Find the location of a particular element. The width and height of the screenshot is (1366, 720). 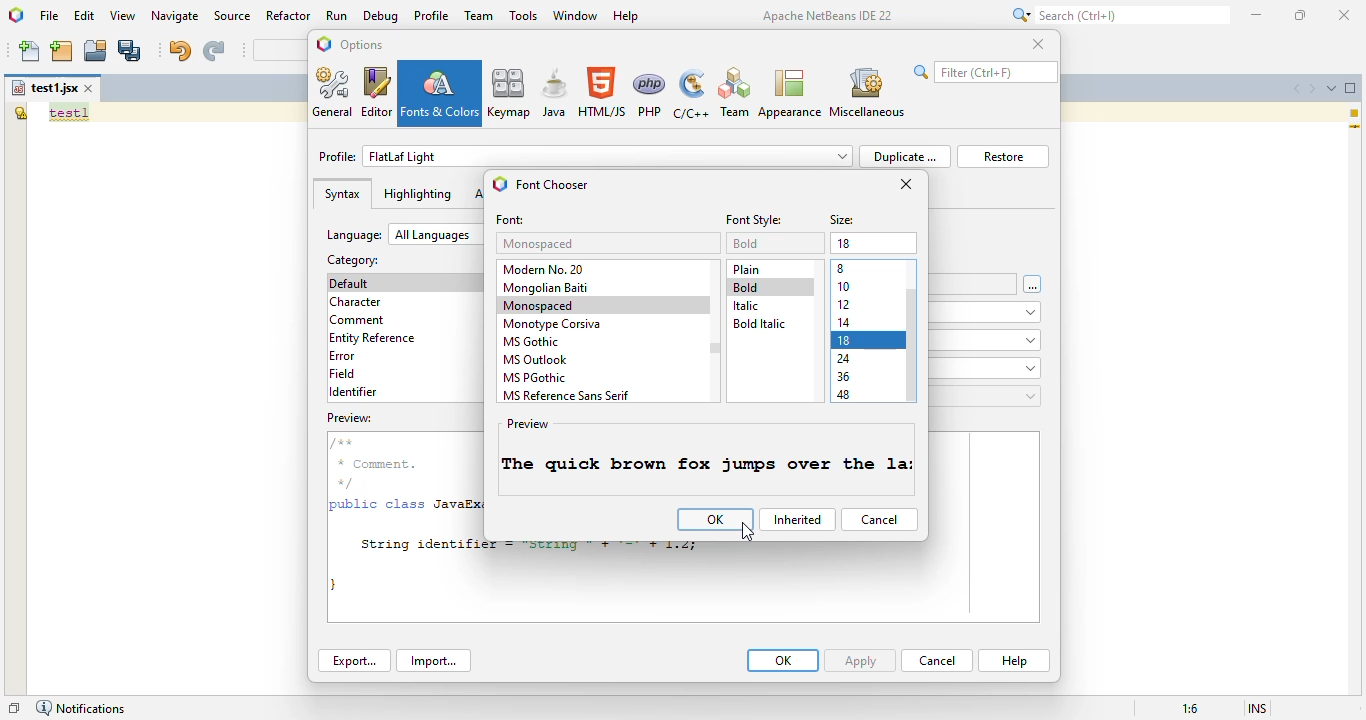

search is located at coordinates (1117, 15).